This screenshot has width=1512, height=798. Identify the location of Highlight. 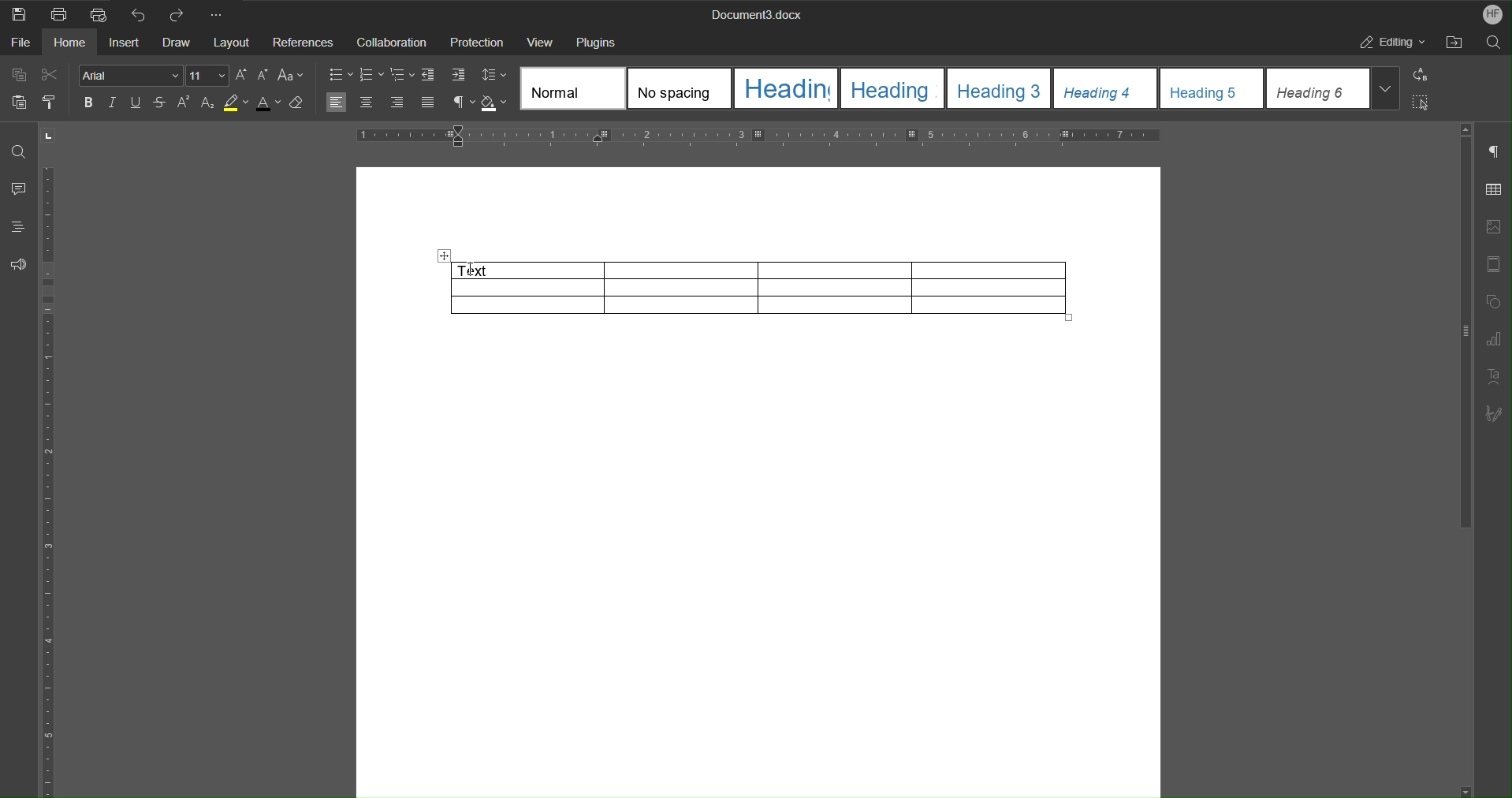
(236, 102).